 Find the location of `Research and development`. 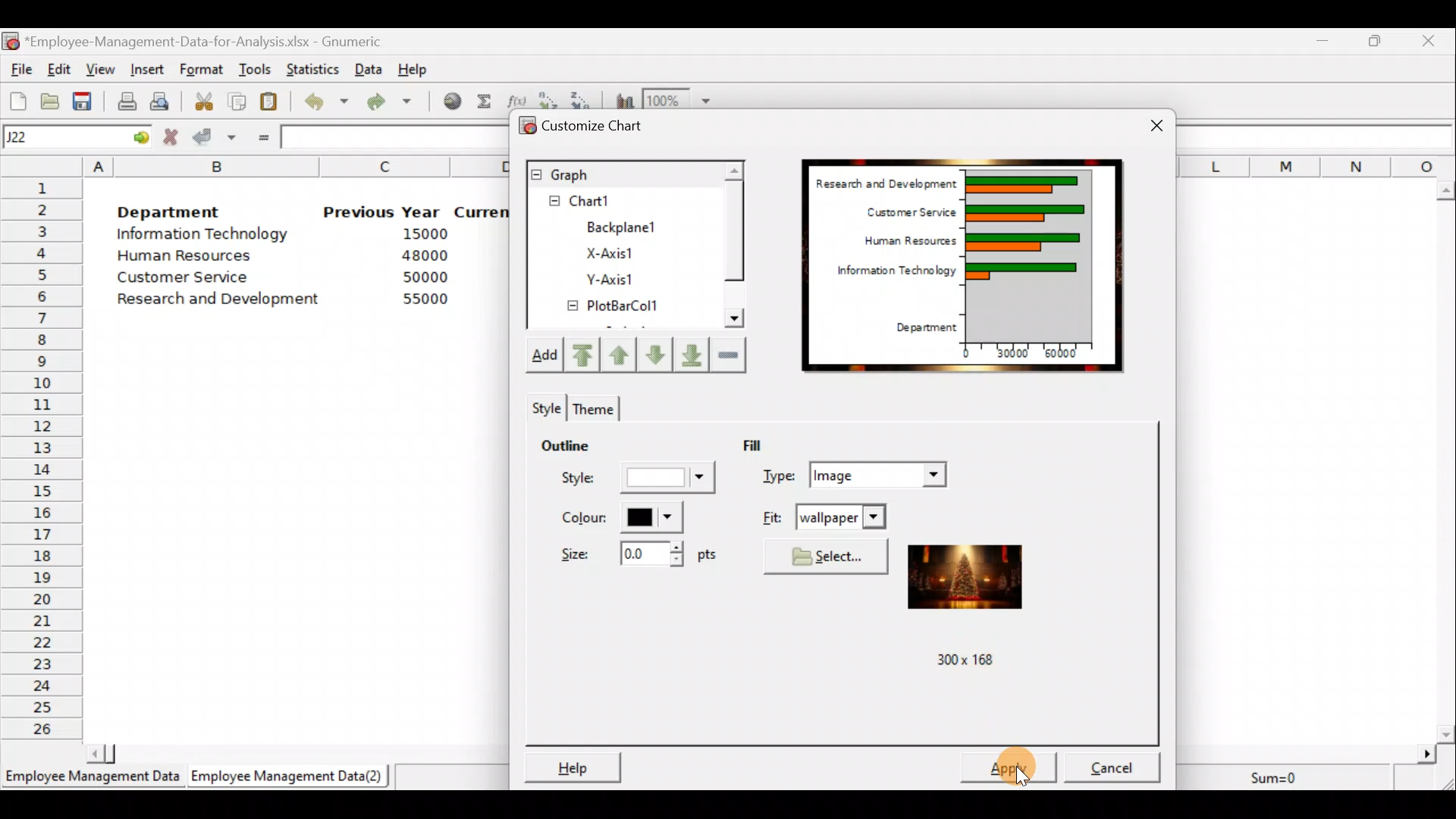

Research and development is located at coordinates (219, 297).